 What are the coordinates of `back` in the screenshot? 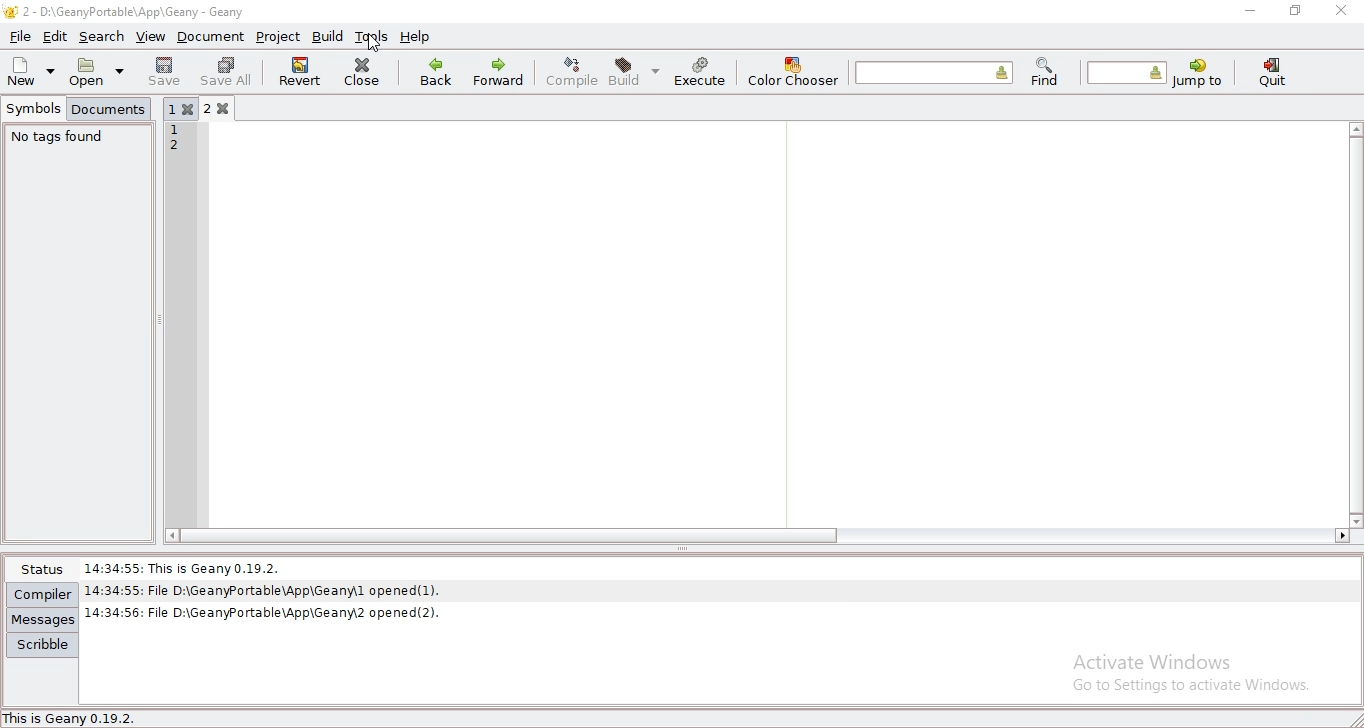 It's located at (436, 72).